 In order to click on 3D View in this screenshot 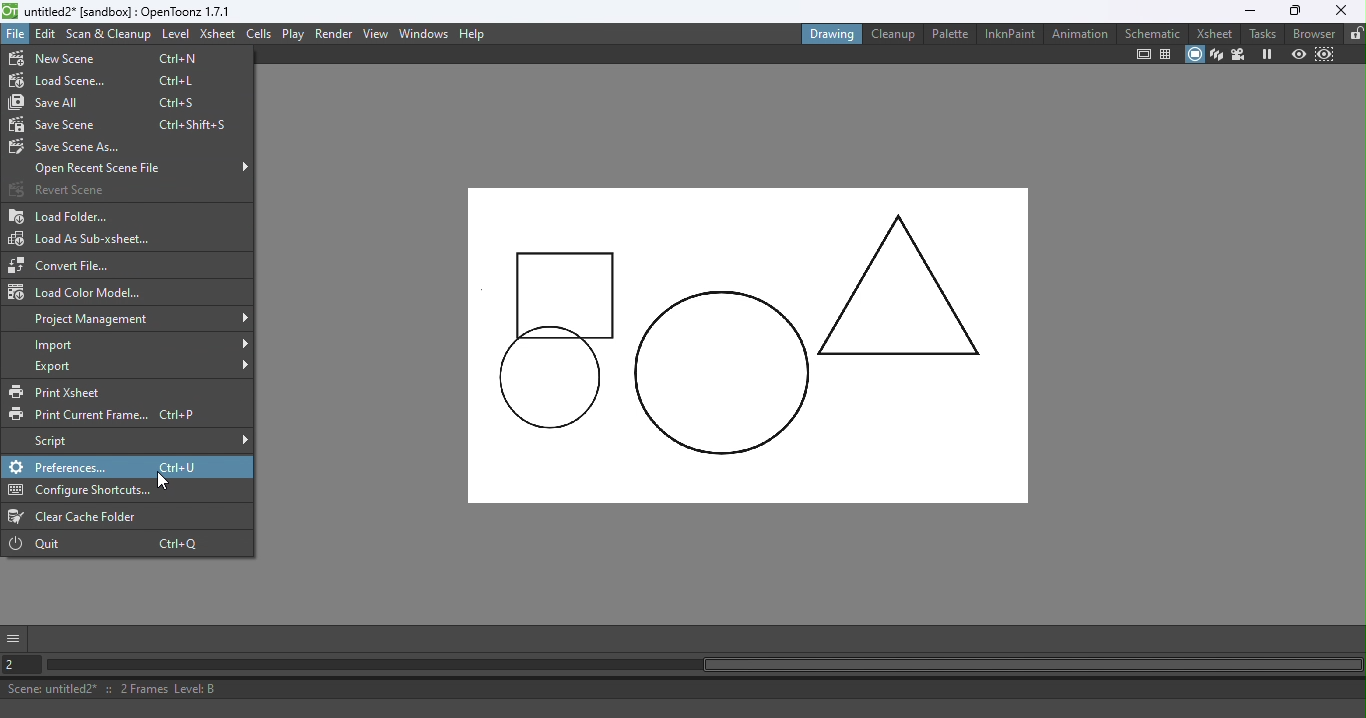, I will do `click(1215, 55)`.